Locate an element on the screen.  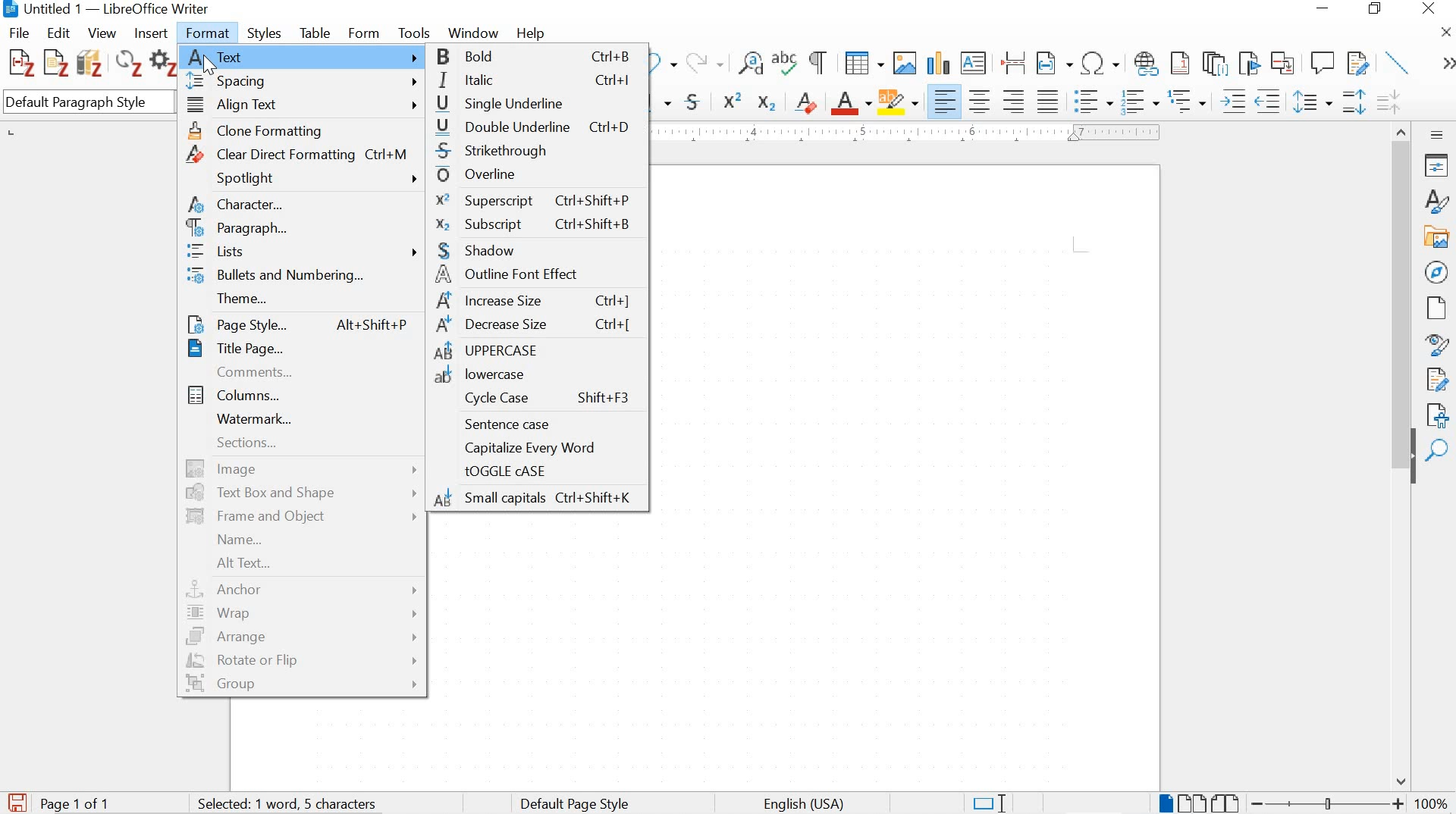
uppercase is located at coordinates (537, 352).